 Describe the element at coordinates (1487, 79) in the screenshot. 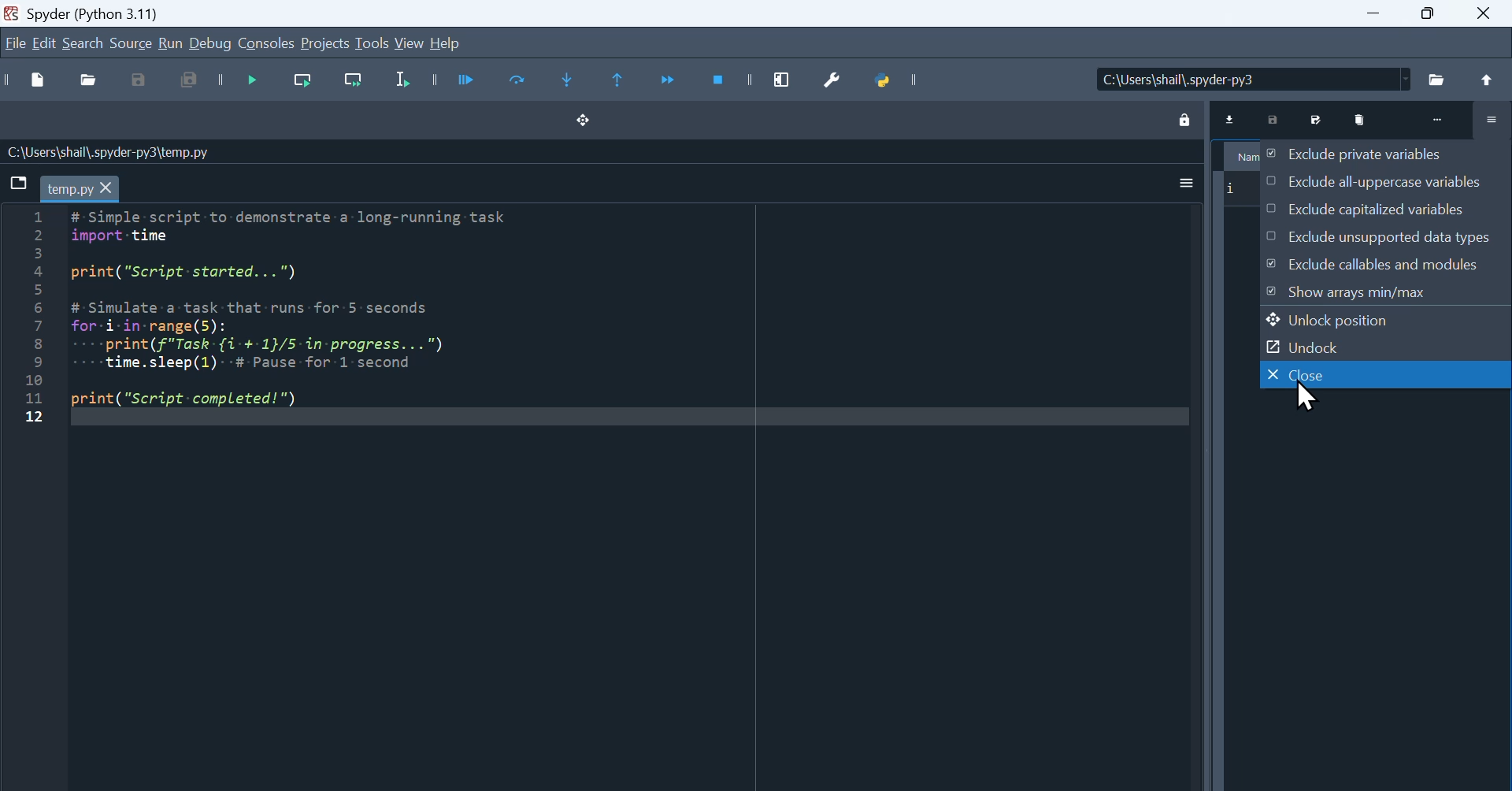

I see `Up to` at that location.